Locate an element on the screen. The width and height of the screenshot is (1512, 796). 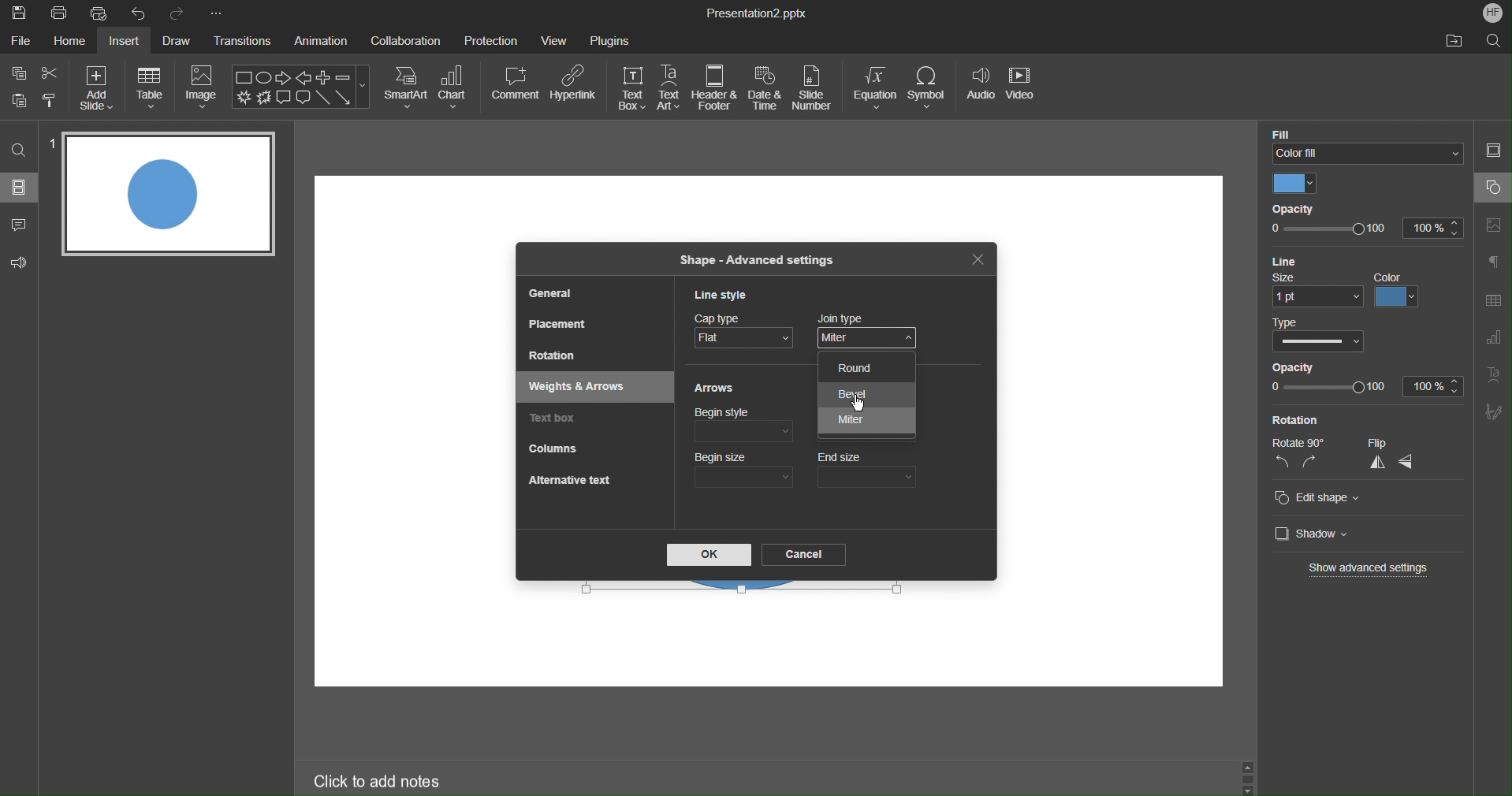
Show advanced settings is located at coordinates (1371, 569).